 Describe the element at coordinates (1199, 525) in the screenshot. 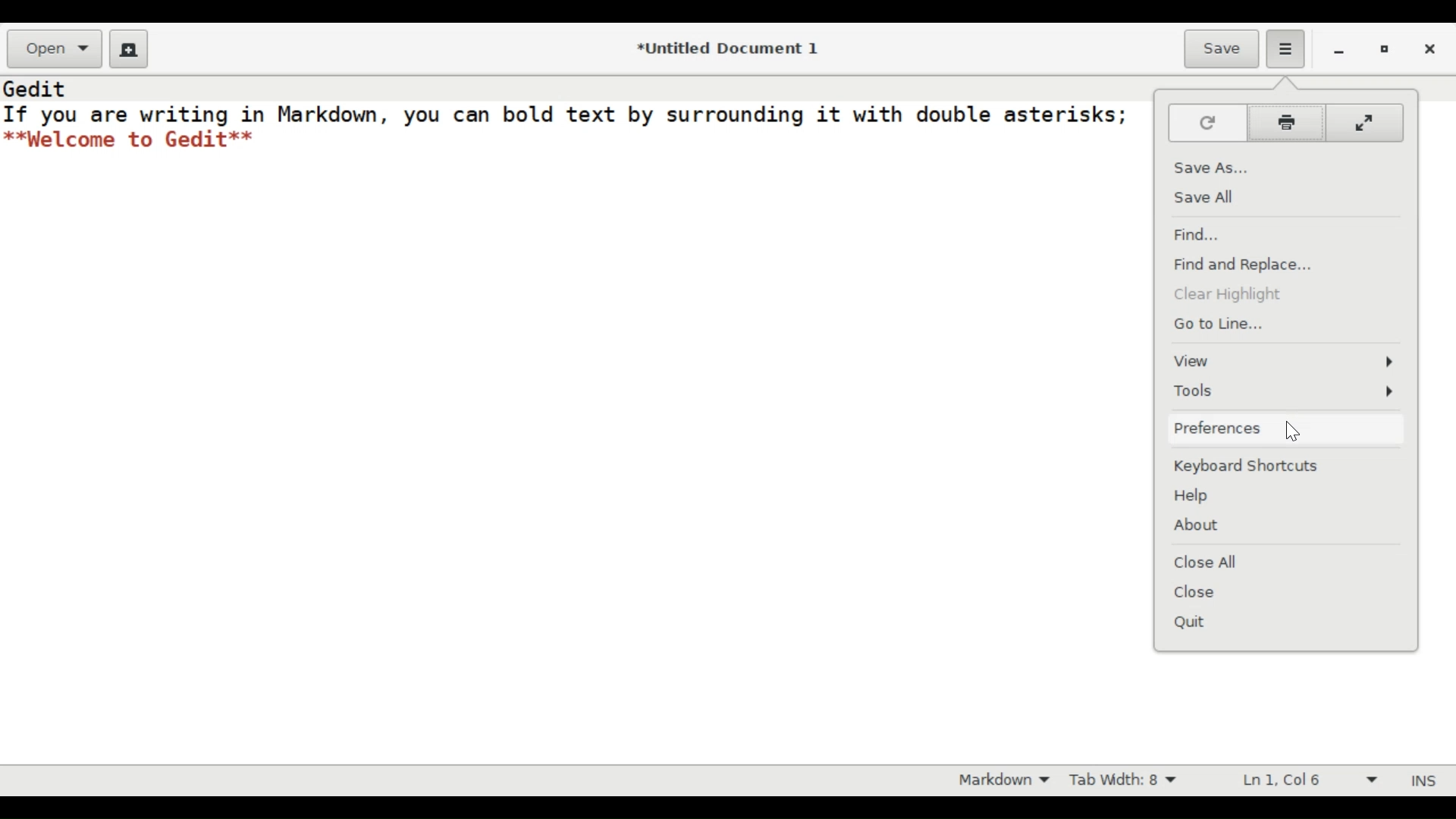

I see `About` at that location.